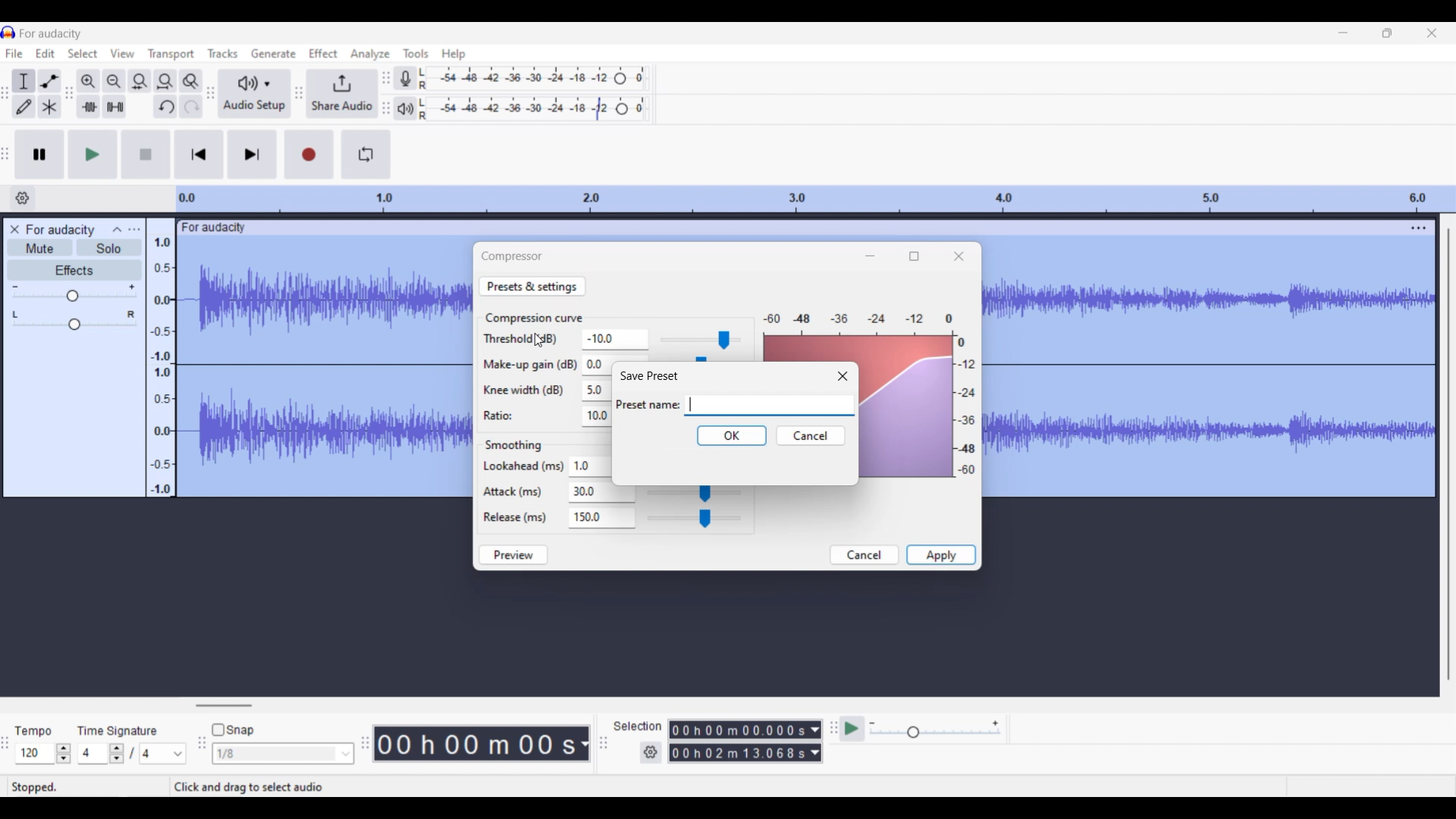 The height and width of the screenshot is (819, 1456). I want to click on Skip/Select to end, so click(253, 155).